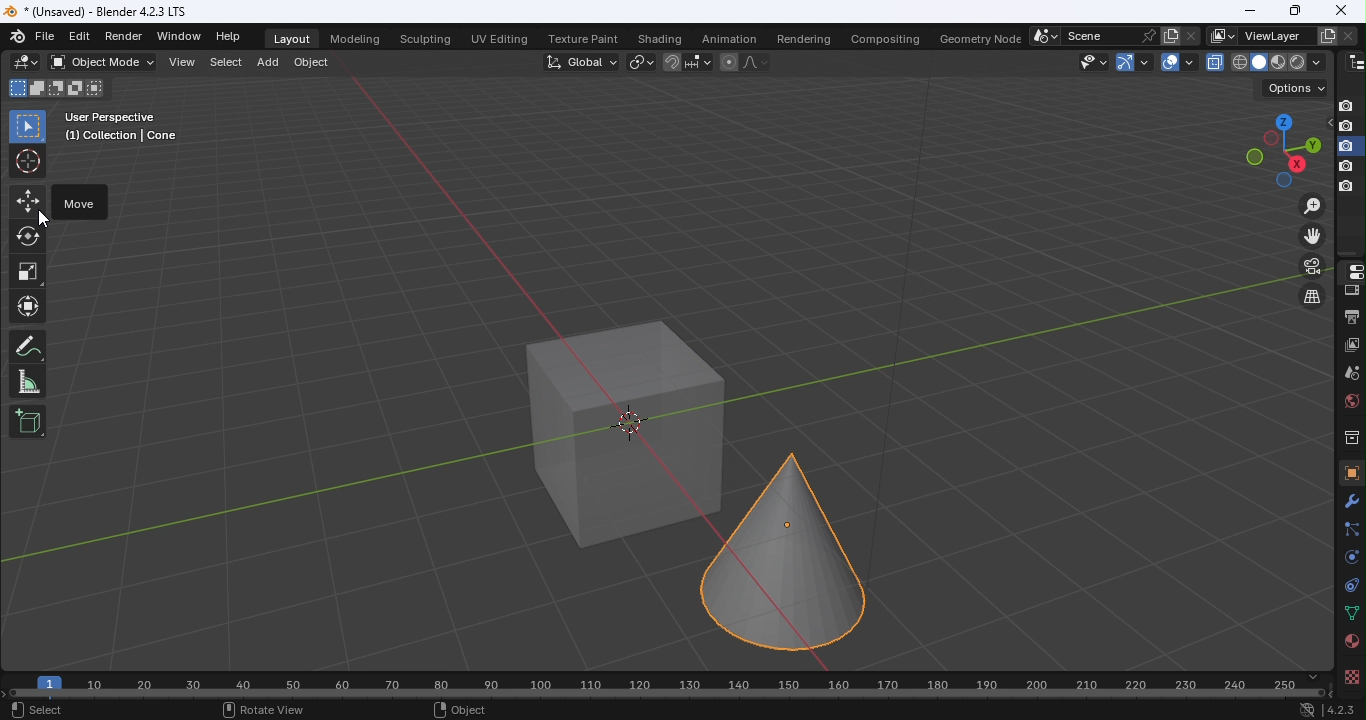  I want to click on Layout, so click(293, 39).